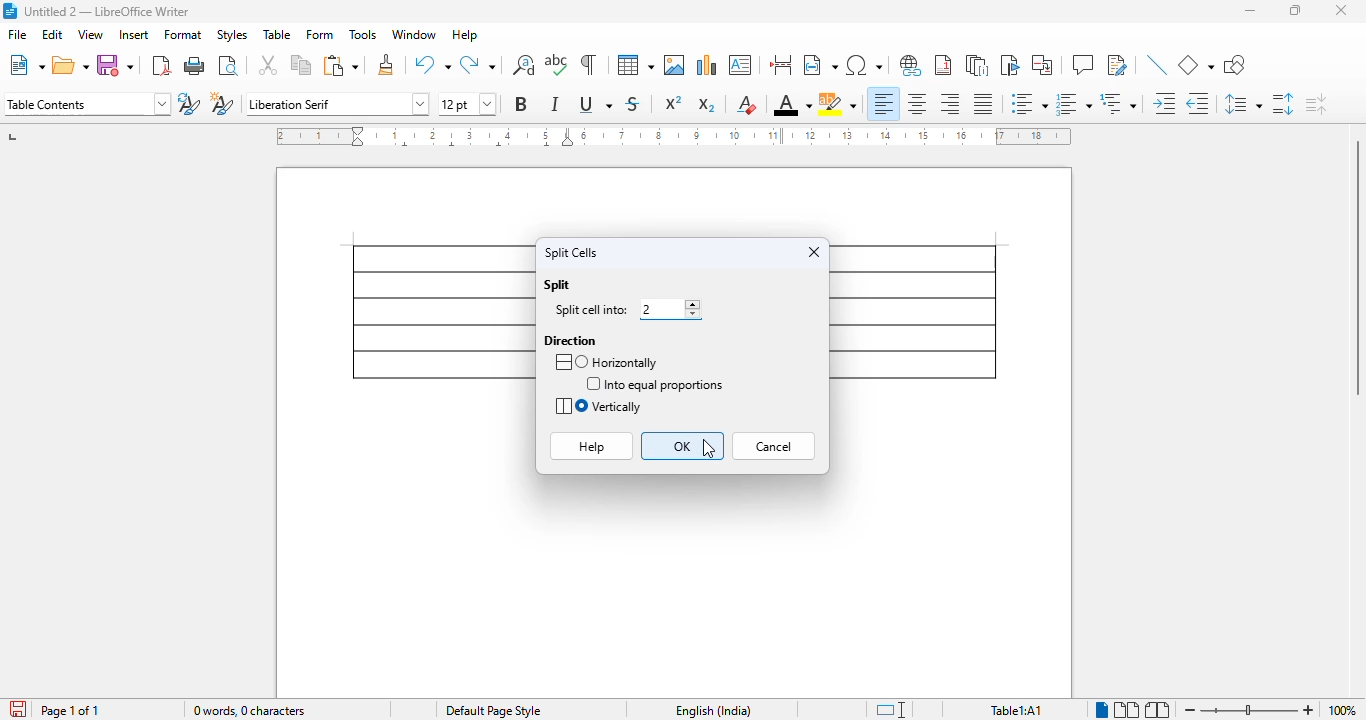  What do you see at coordinates (681, 445) in the screenshot?
I see `OK` at bounding box center [681, 445].